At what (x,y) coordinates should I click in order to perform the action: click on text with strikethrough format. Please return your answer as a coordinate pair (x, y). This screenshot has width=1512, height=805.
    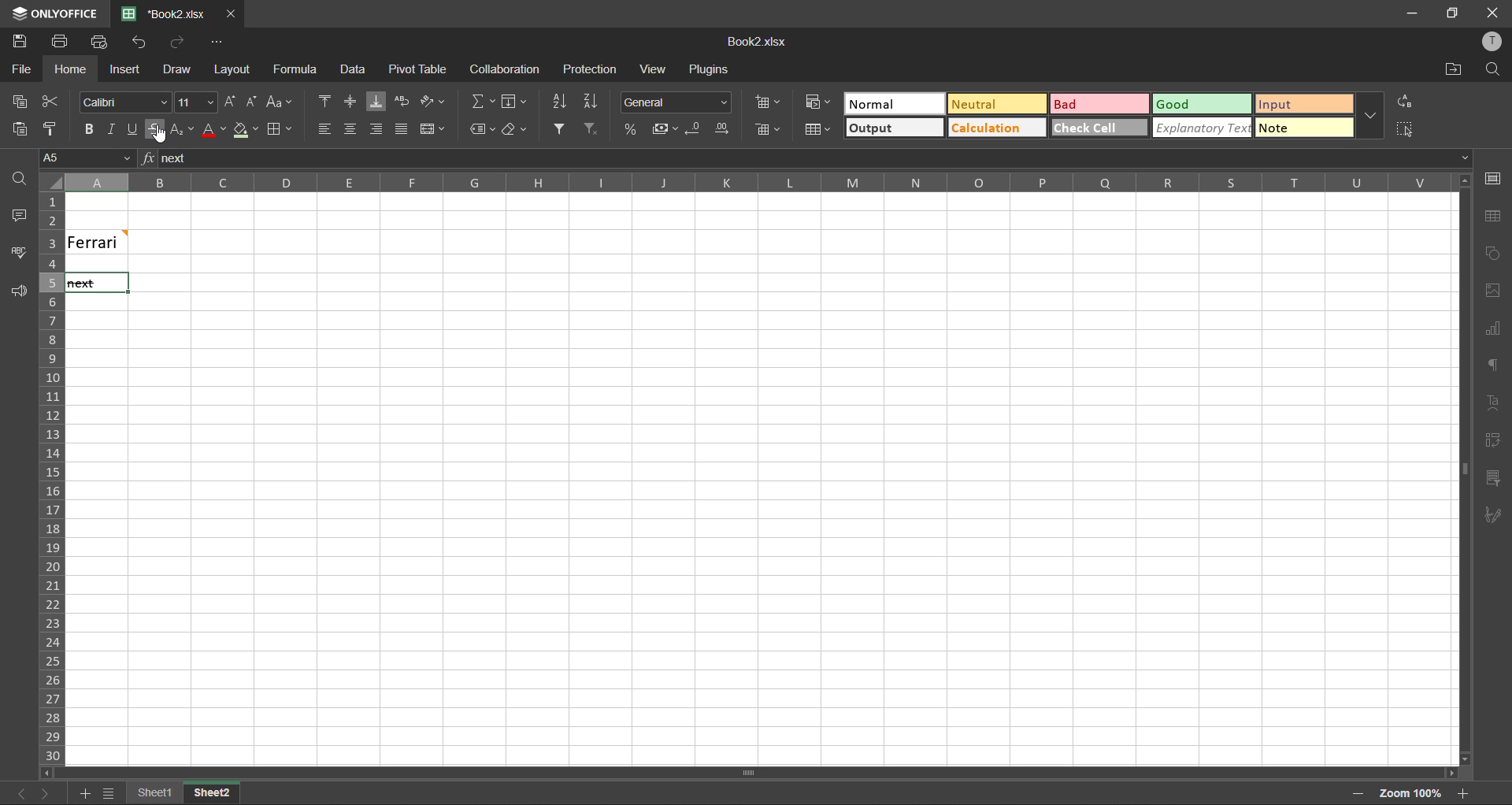
    Looking at the image, I should click on (96, 283).